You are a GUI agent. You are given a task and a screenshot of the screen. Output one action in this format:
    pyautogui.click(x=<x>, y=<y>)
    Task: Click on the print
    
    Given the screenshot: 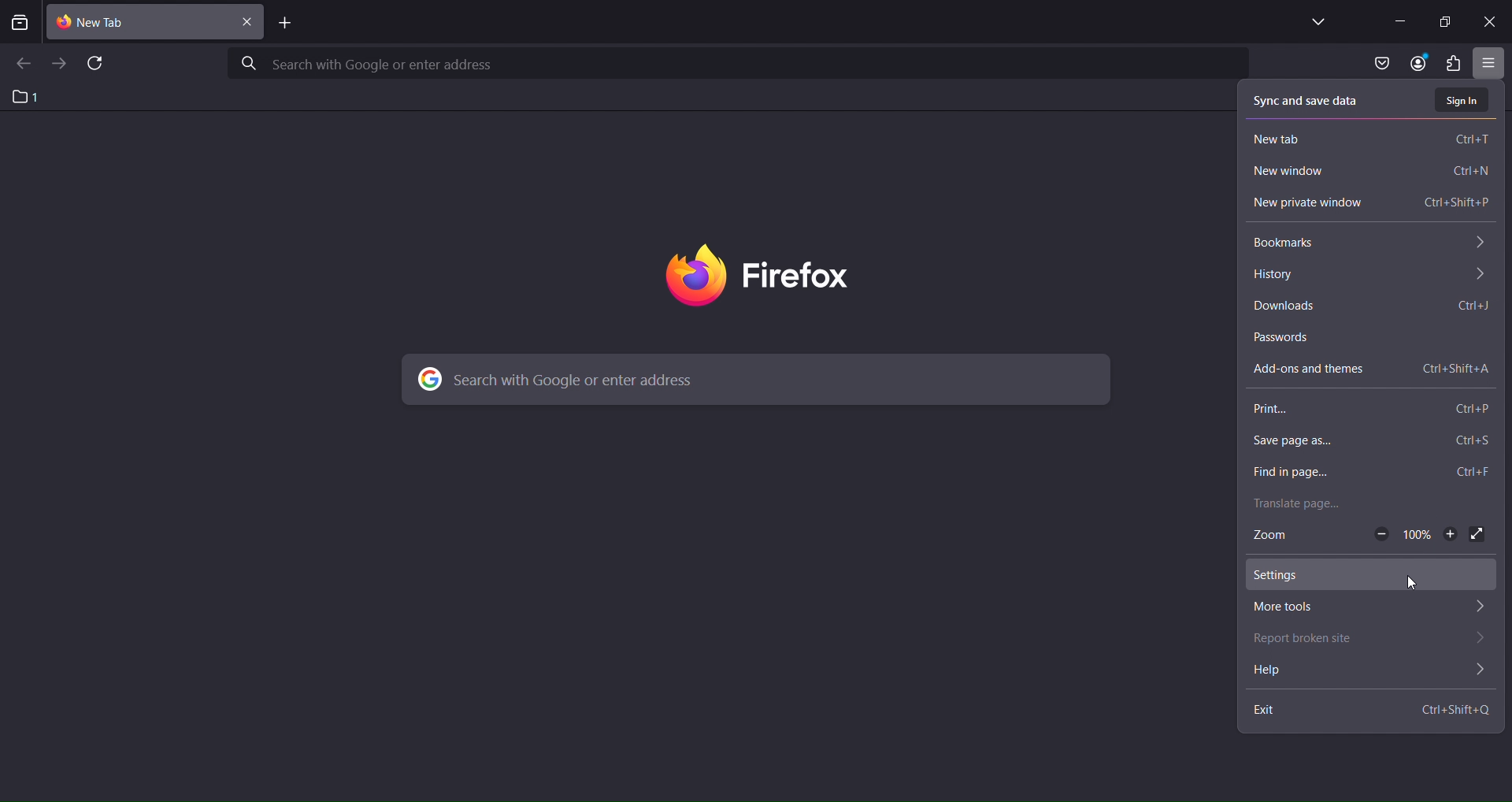 What is the action you would take?
    pyautogui.click(x=1371, y=409)
    